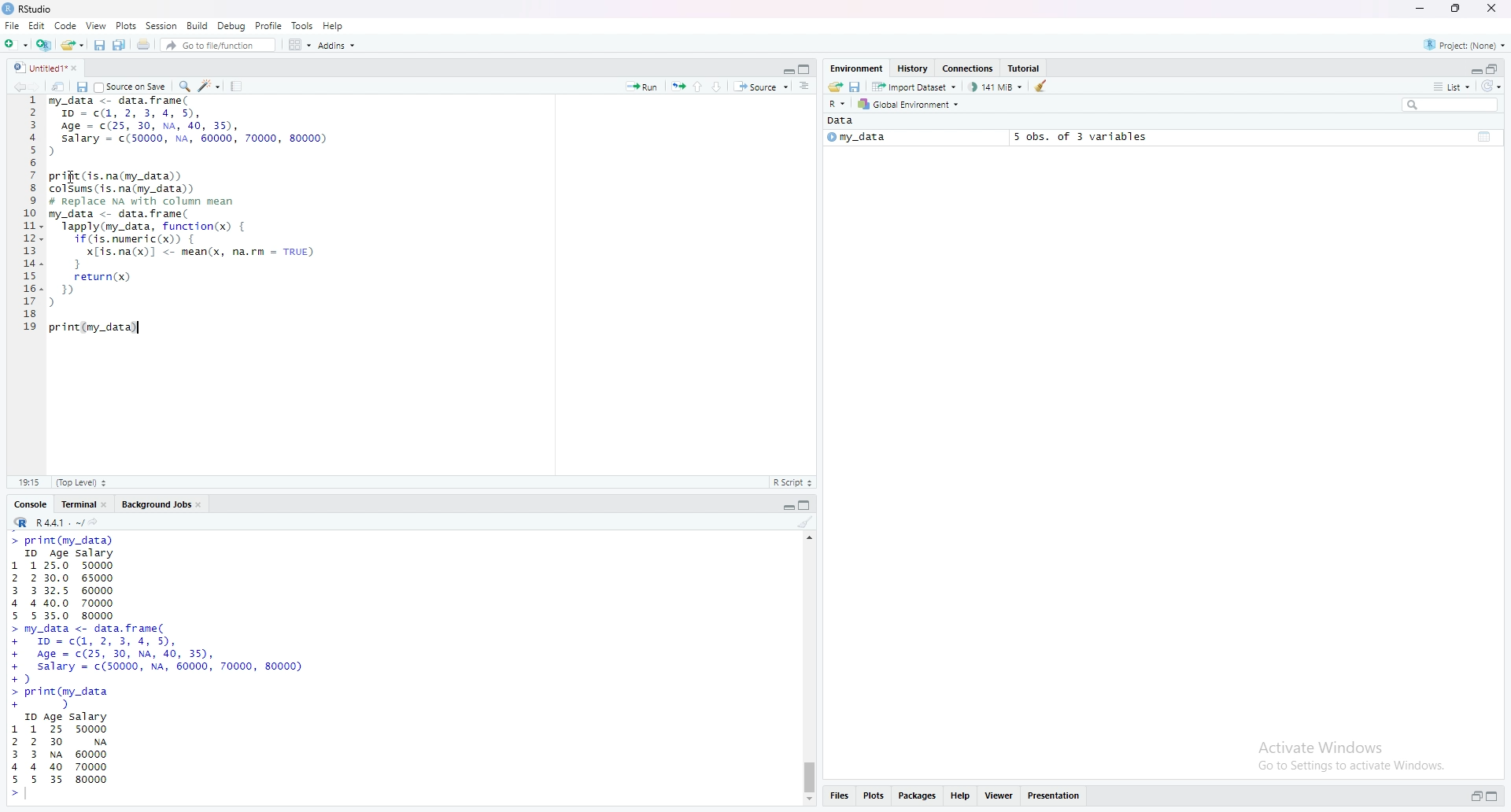  What do you see at coordinates (74, 176) in the screenshot?
I see `cursor` at bounding box center [74, 176].